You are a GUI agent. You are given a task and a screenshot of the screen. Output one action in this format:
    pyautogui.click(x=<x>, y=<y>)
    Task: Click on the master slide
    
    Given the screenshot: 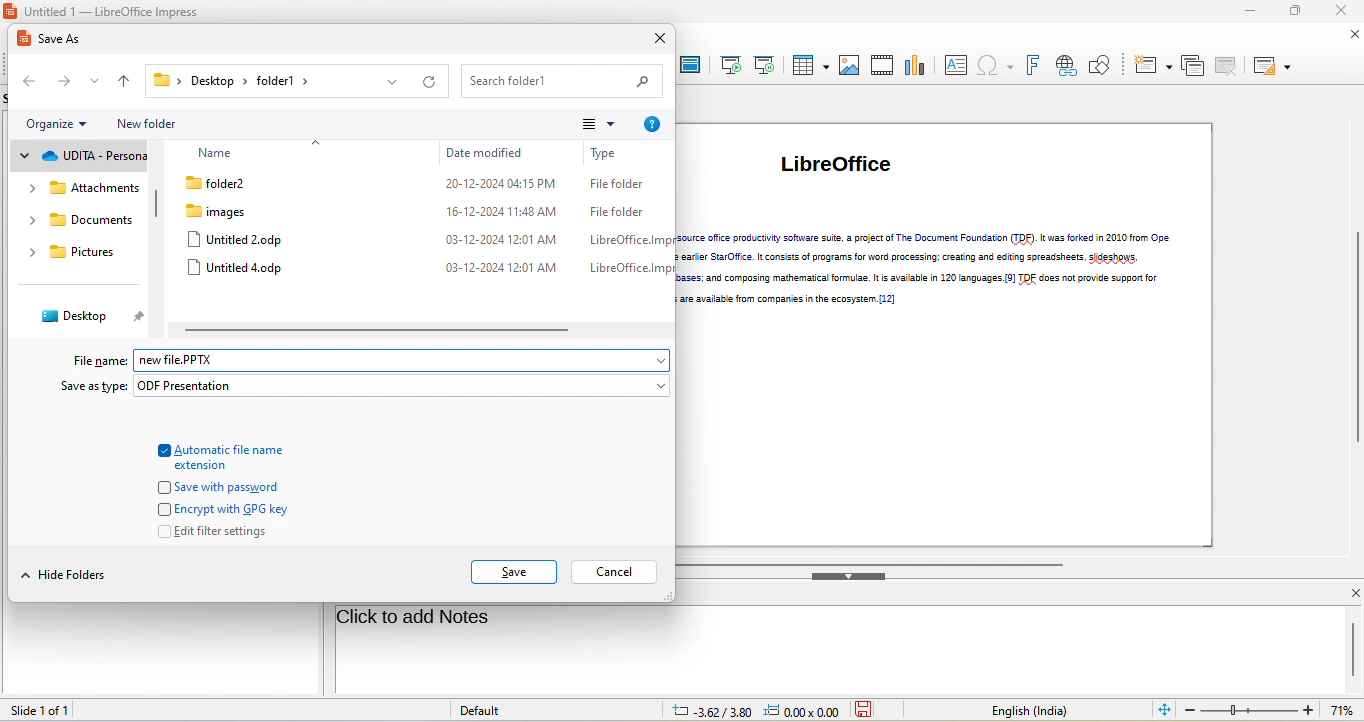 What is the action you would take?
    pyautogui.click(x=690, y=66)
    